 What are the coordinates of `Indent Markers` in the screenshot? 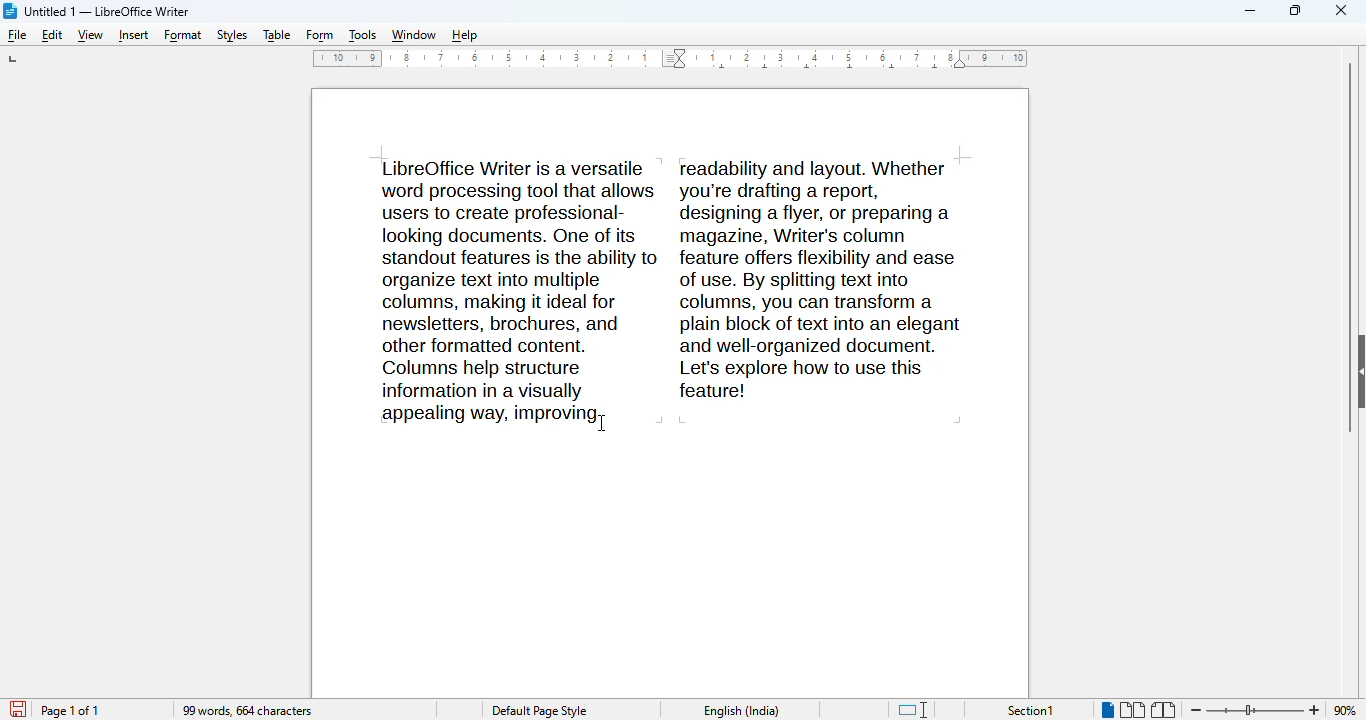 It's located at (674, 59).